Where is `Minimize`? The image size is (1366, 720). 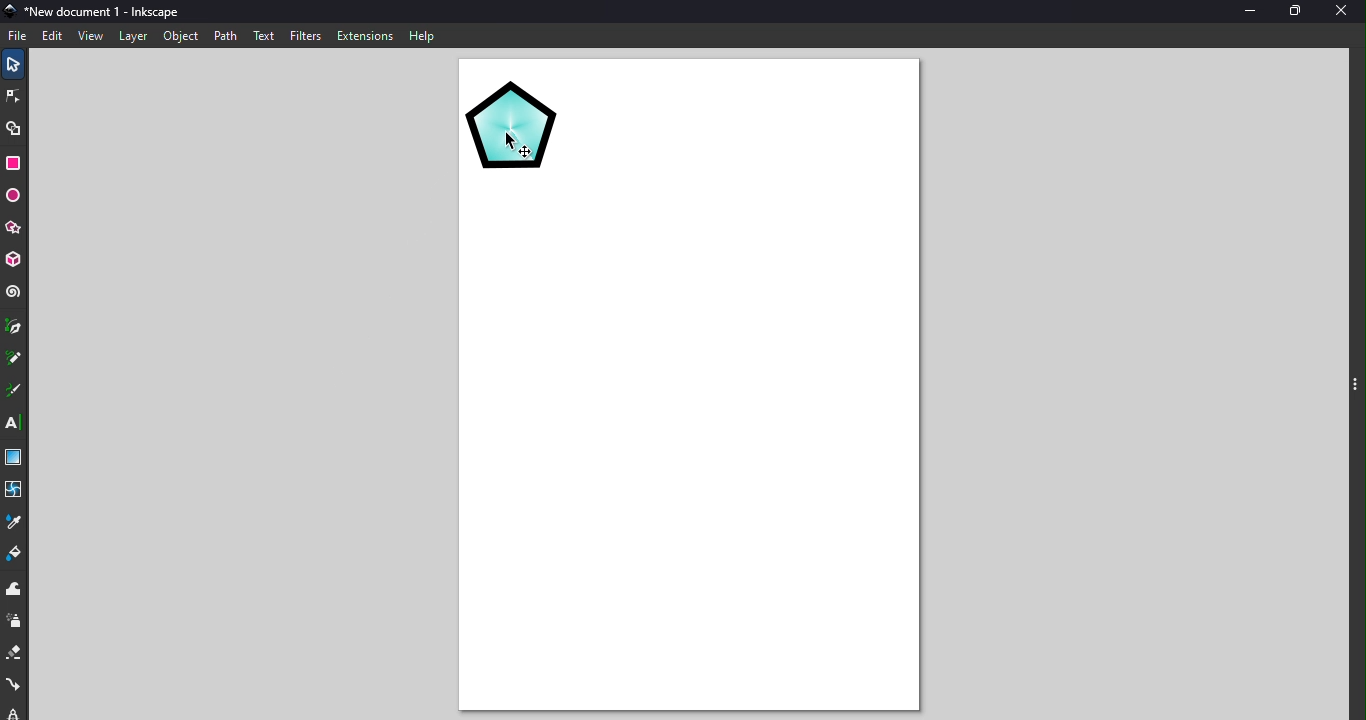
Minimize is located at coordinates (1245, 13).